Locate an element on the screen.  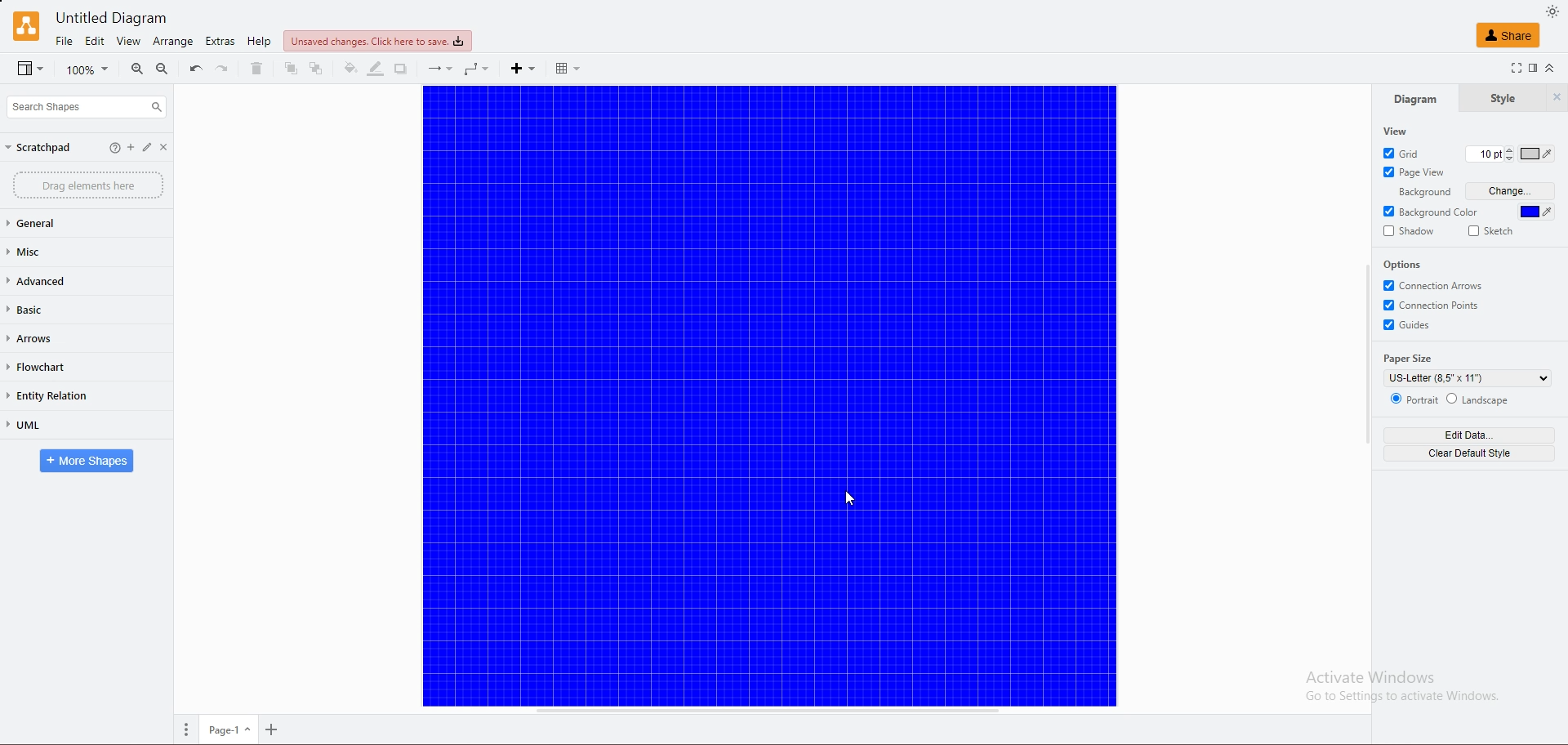
style is located at coordinates (1501, 99).